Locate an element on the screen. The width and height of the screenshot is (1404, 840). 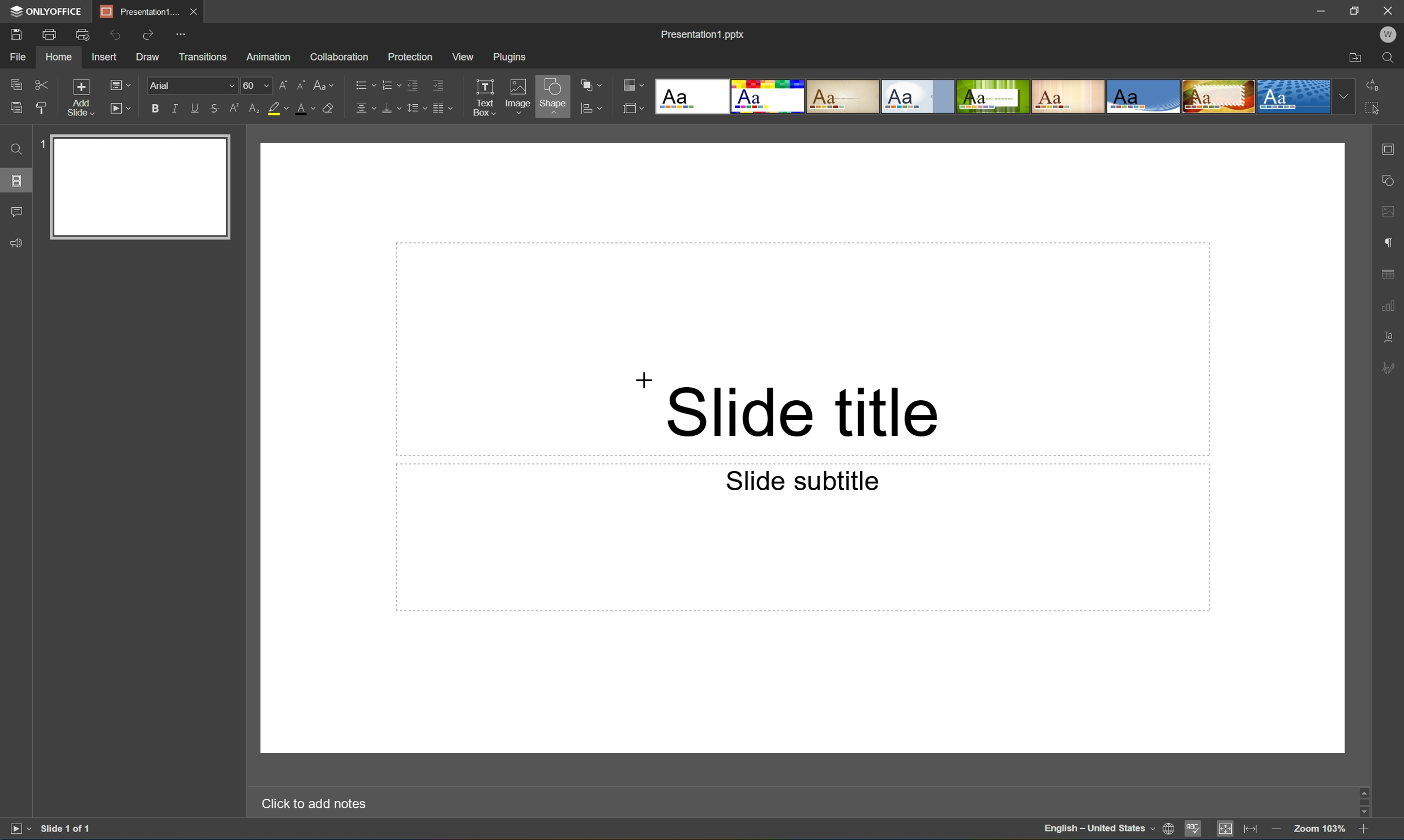
Home is located at coordinates (59, 58).